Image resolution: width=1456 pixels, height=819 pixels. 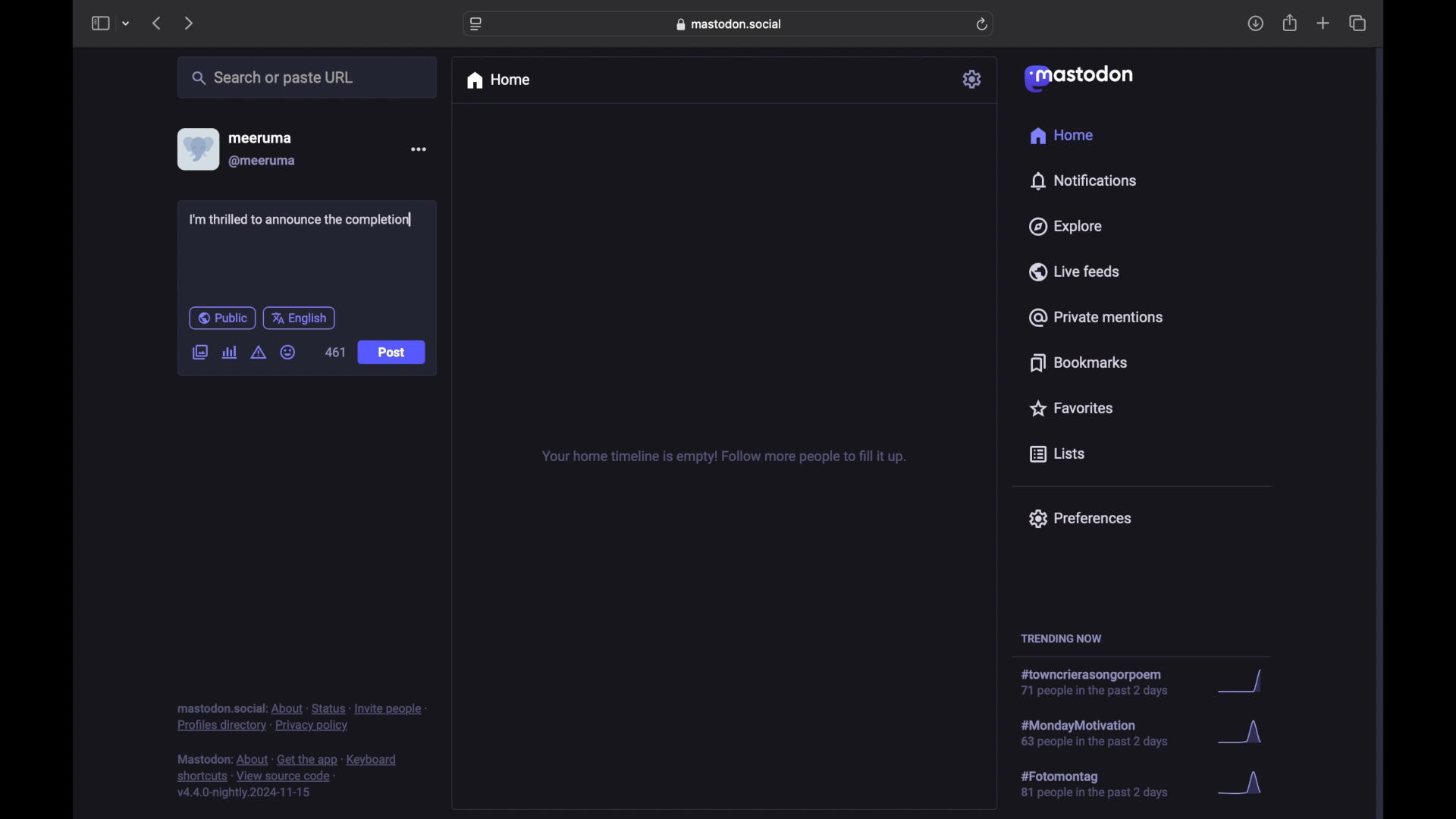 What do you see at coordinates (1080, 519) in the screenshot?
I see `preferences` at bounding box center [1080, 519].